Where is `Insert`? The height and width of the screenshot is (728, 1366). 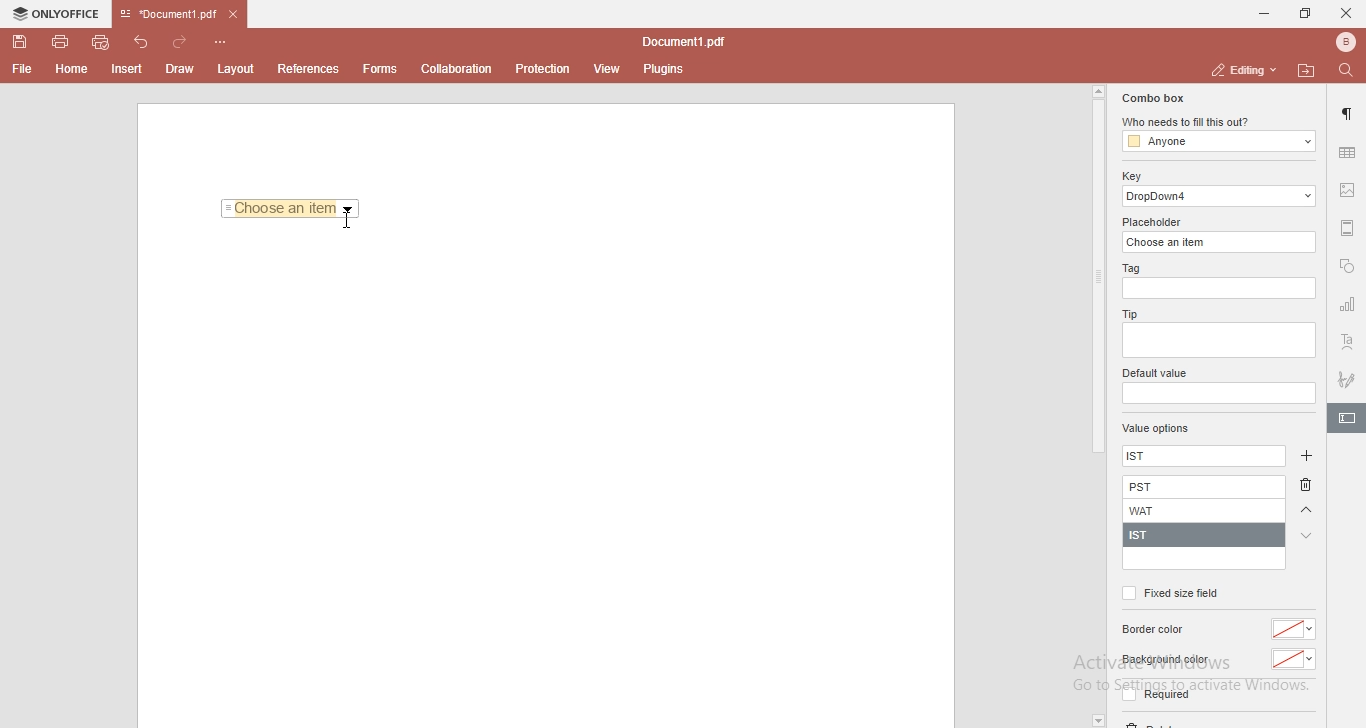
Insert is located at coordinates (127, 70).